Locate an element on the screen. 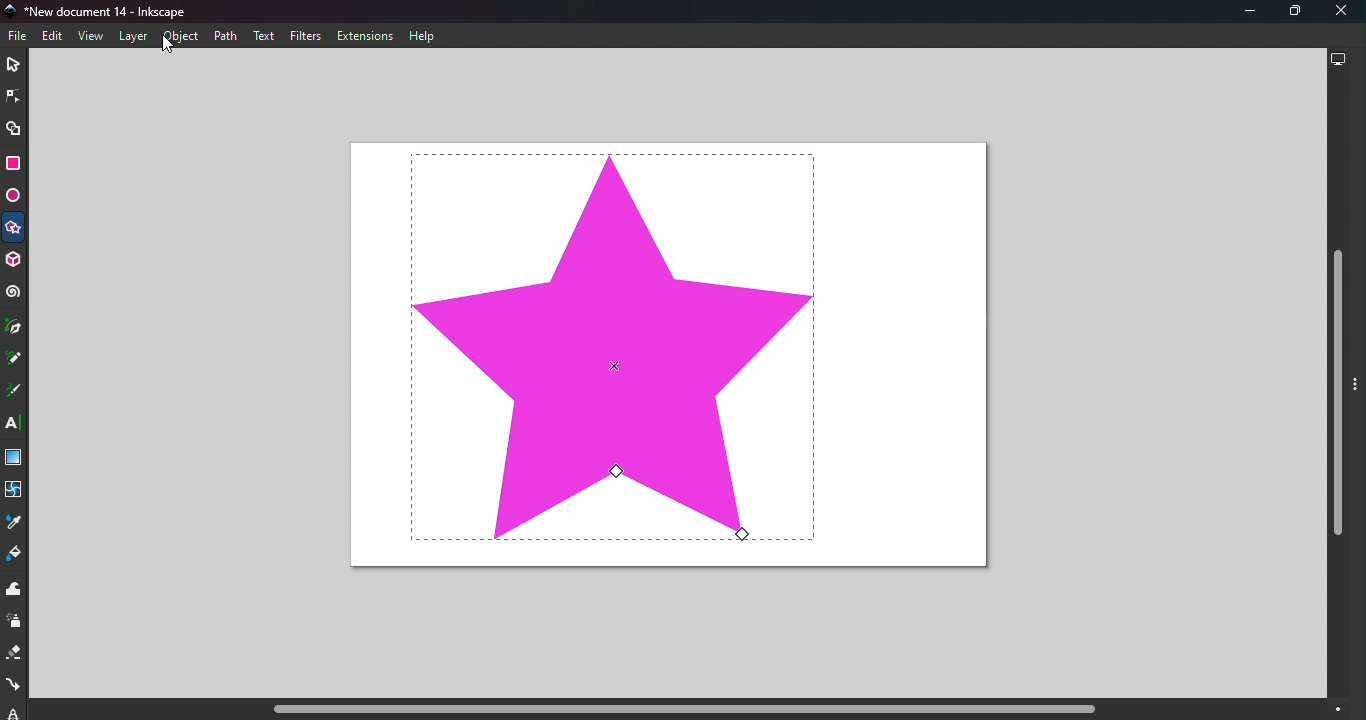  Paint bucket tool is located at coordinates (16, 556).